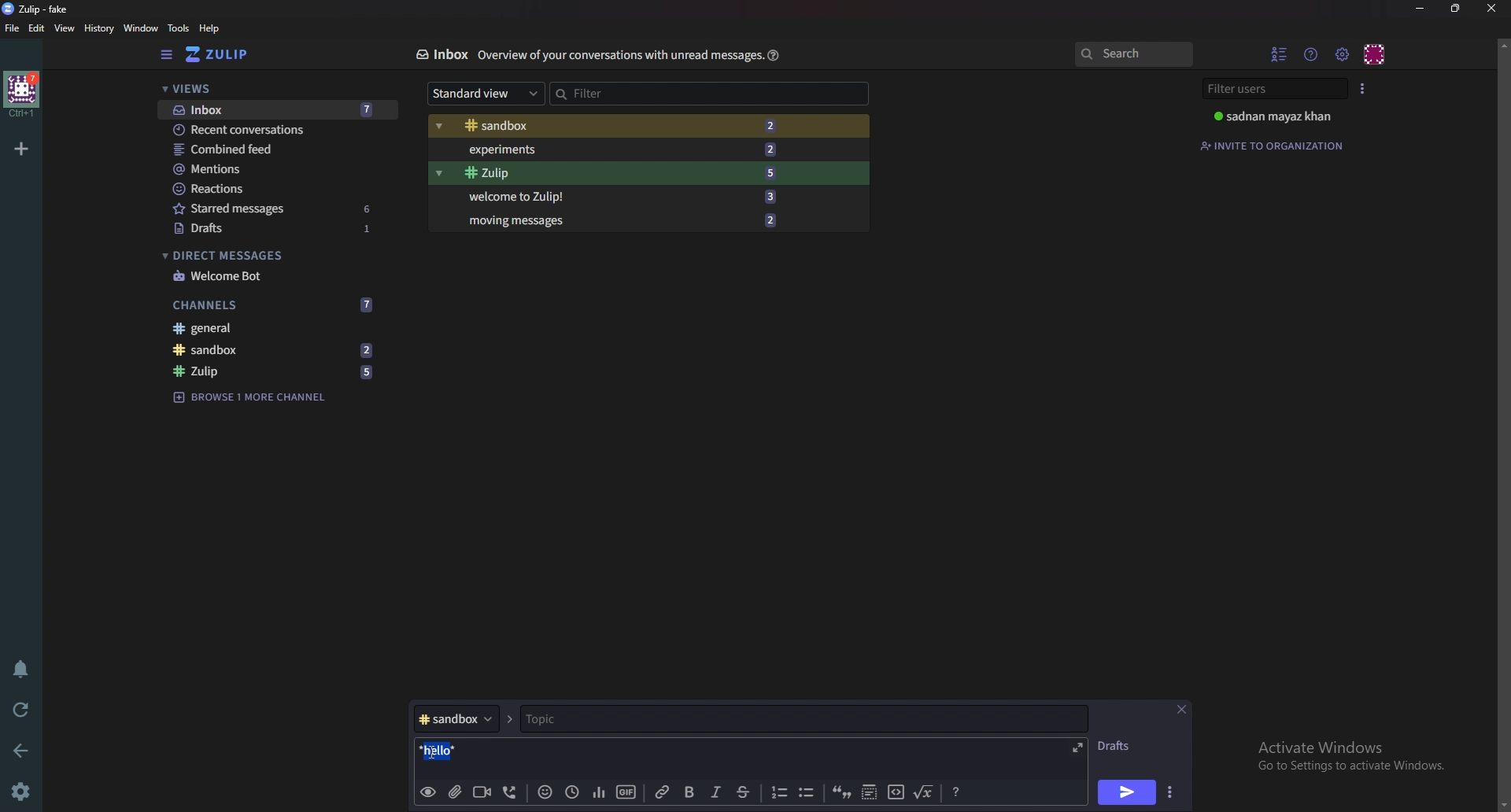  What do you see at coordinates (274, 208) in the screenshot?
I see `starred Messages 6` at bounding box center [274, 208].